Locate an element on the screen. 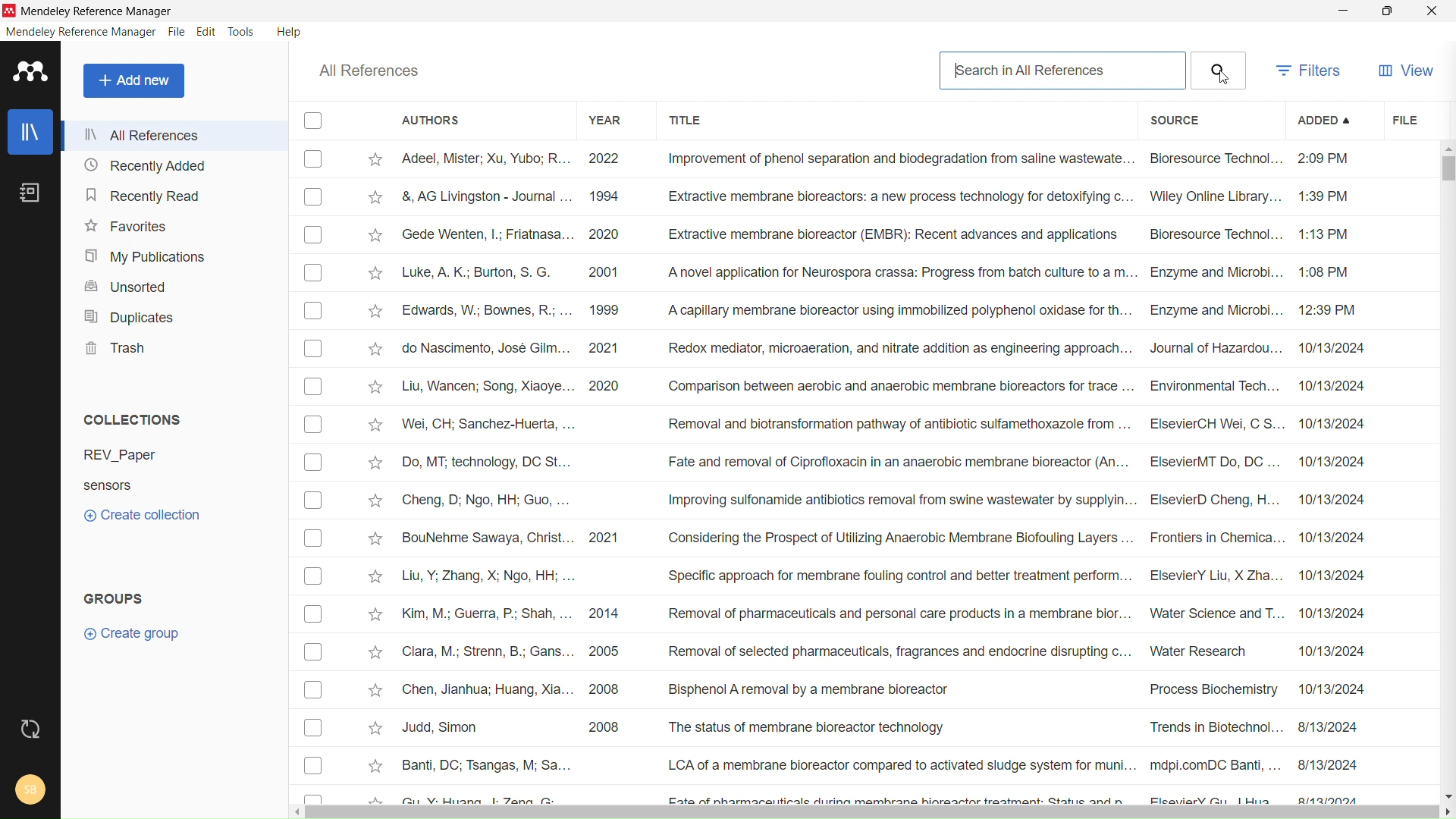 The width and height of the screenshot is (1456, 819). Checkbox is located at coordinates (314, 541).